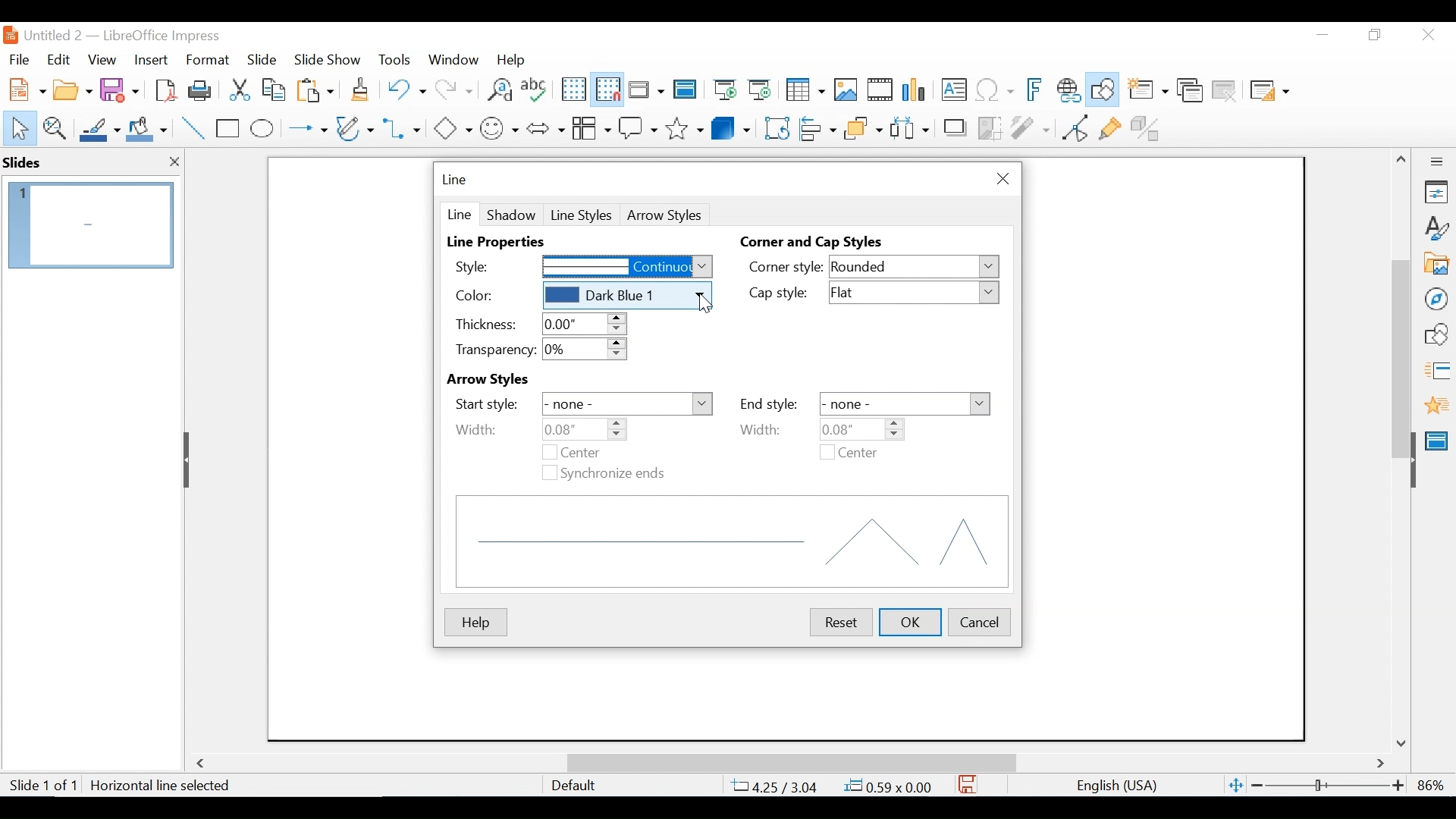 The image size is (1456, 819). What do you see at coordinates (990, 127) in the screenshot?
I see `Crop Image` at bounding box center [990, 127].